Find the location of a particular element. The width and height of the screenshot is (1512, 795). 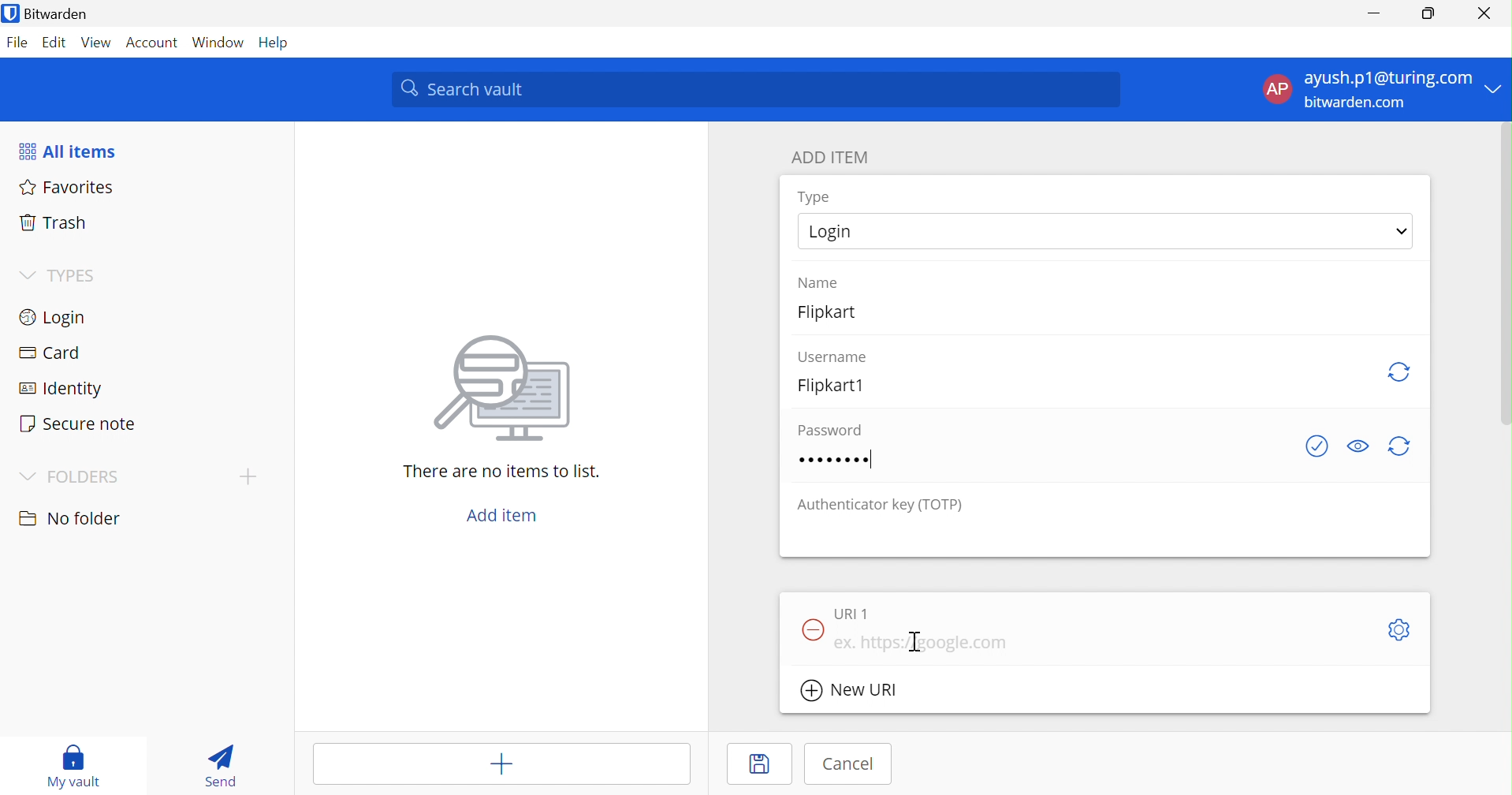

Flipkart is located at coordinates (837, 317).